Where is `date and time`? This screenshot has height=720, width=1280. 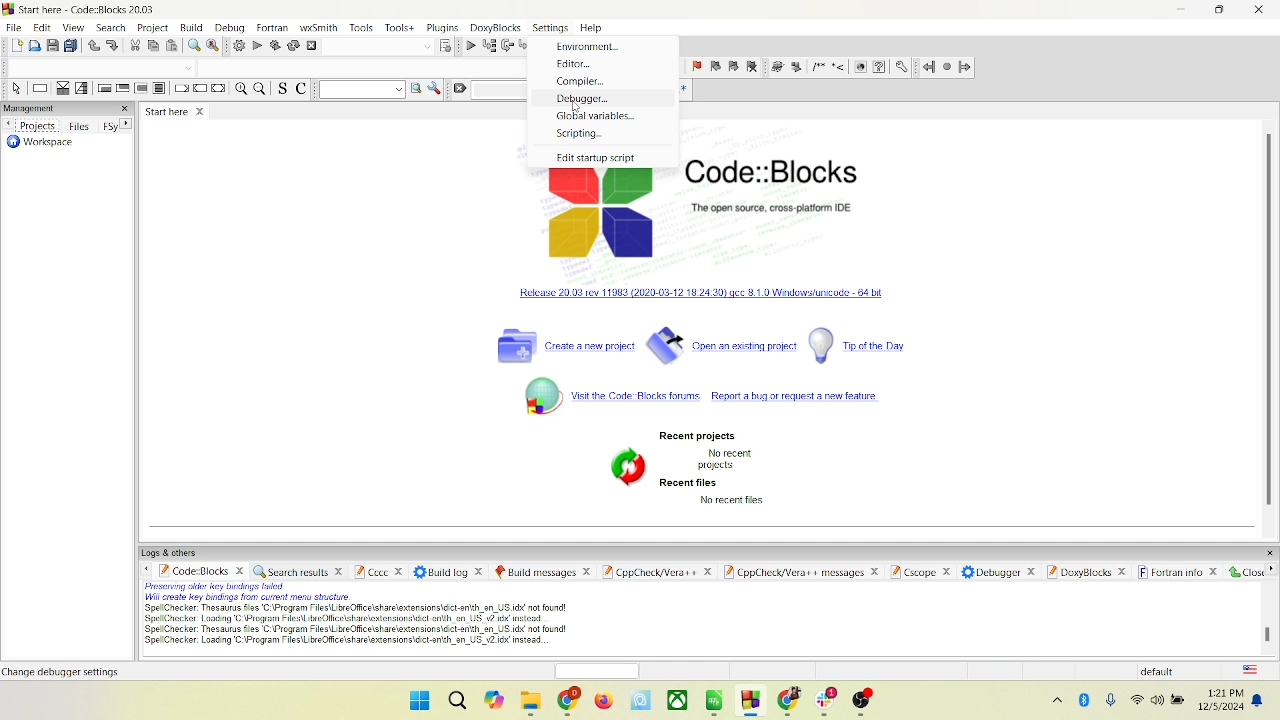
date and time is located at coordinates (1221, 699).